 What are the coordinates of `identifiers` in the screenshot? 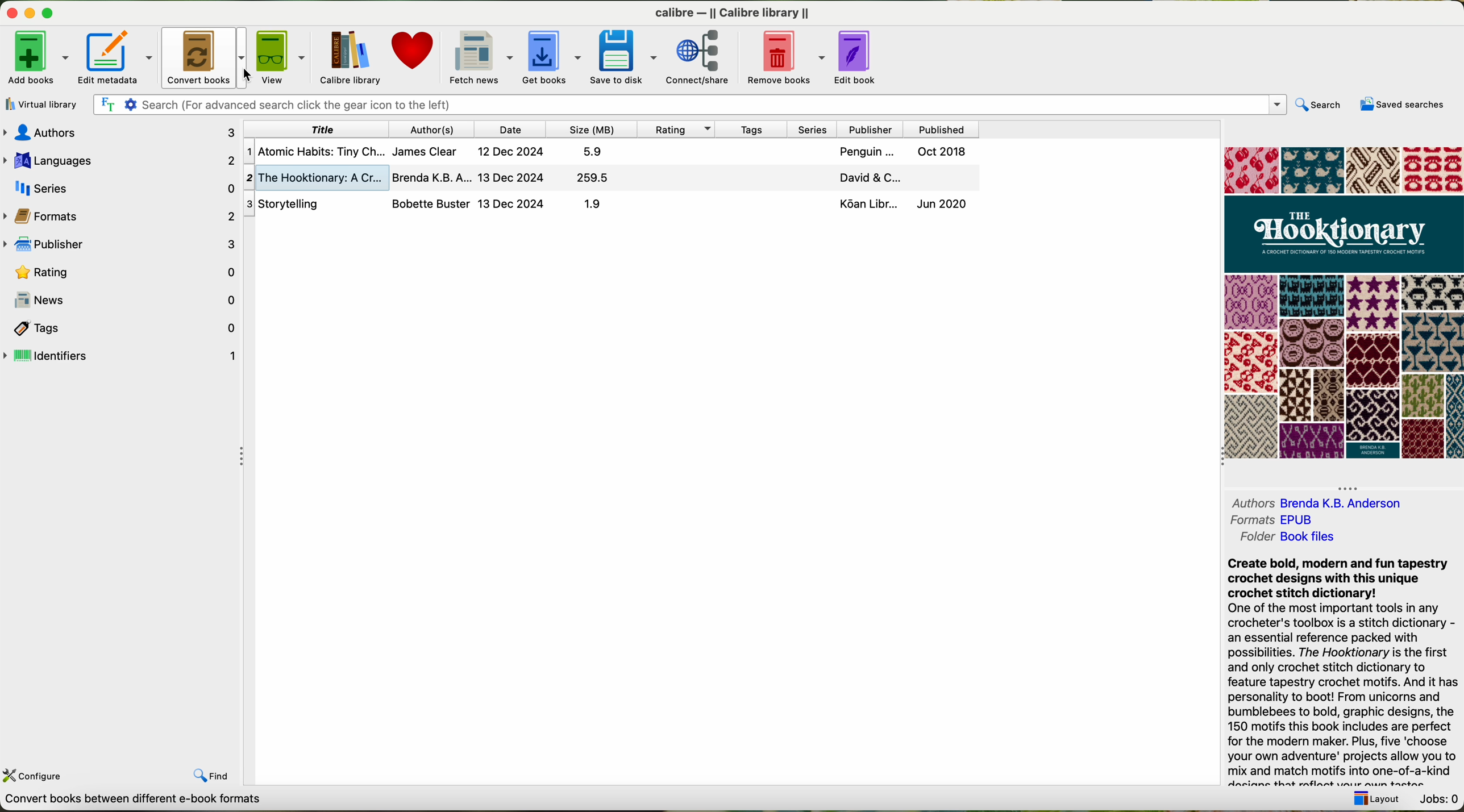 It's located at (121, 355).